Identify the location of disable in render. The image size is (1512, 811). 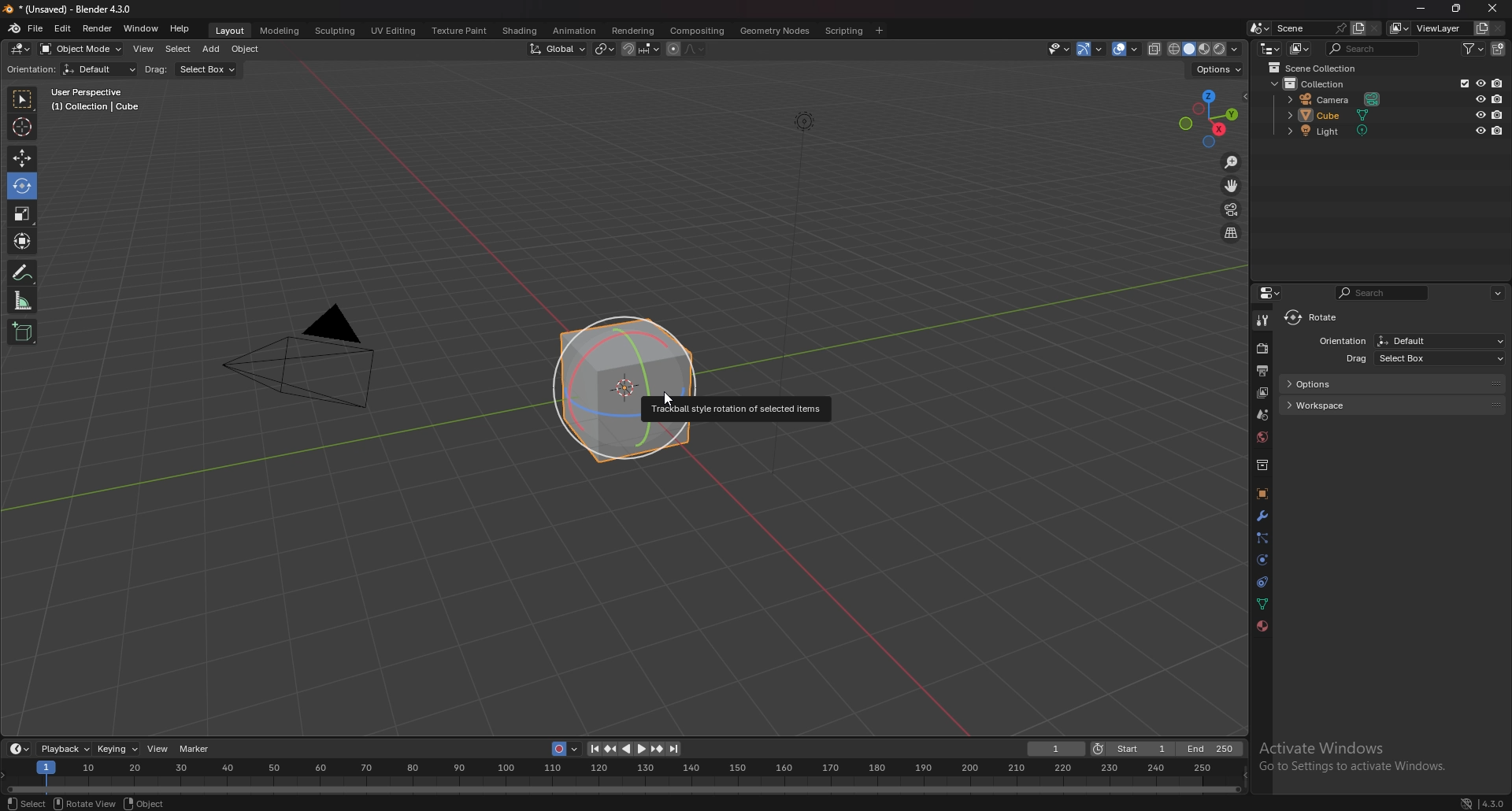
(1499, 130).